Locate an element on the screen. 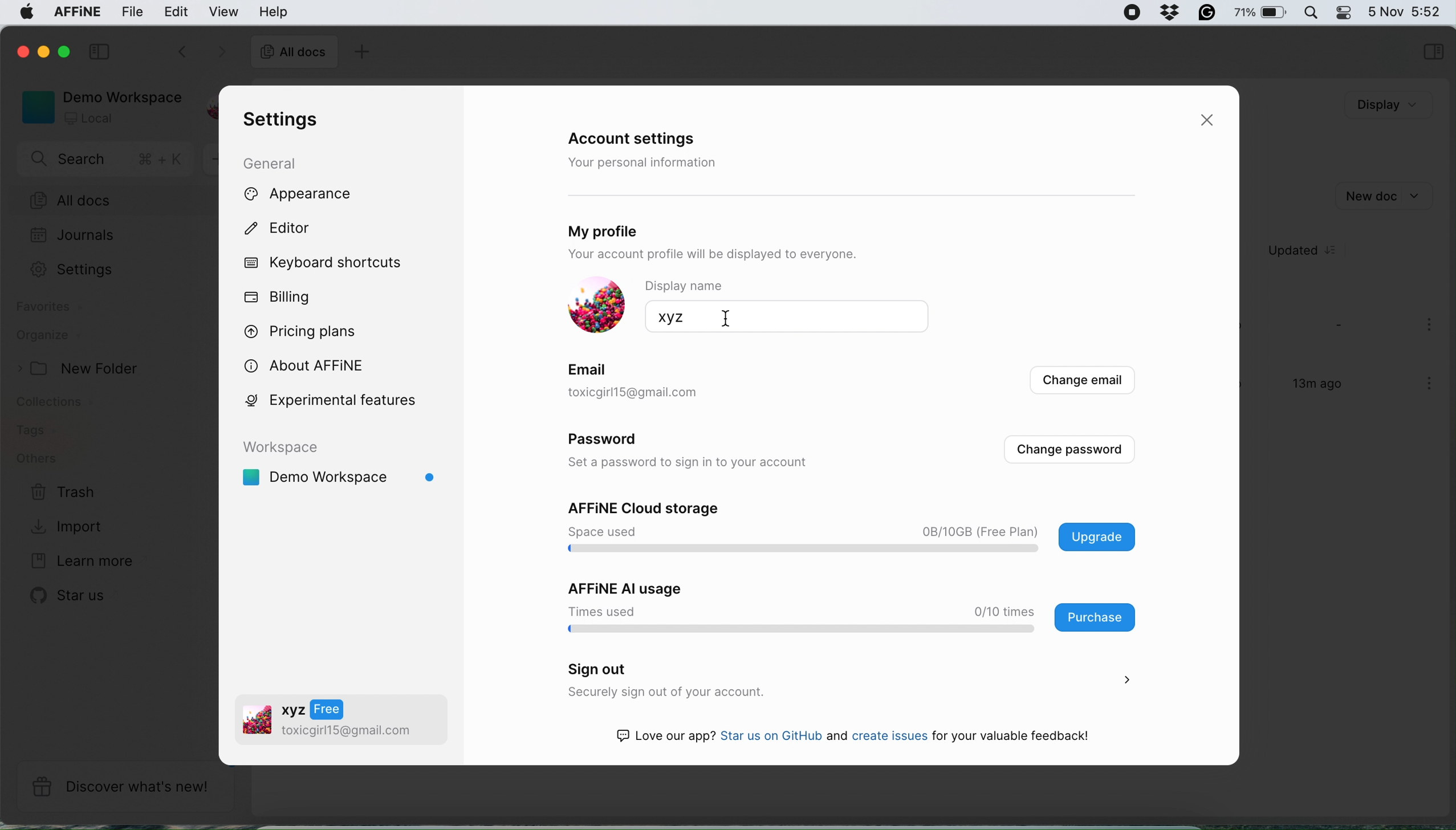 This screenshot has width=1456, height=830. set a password to sign in to your account is located at coordinates (696, 463).